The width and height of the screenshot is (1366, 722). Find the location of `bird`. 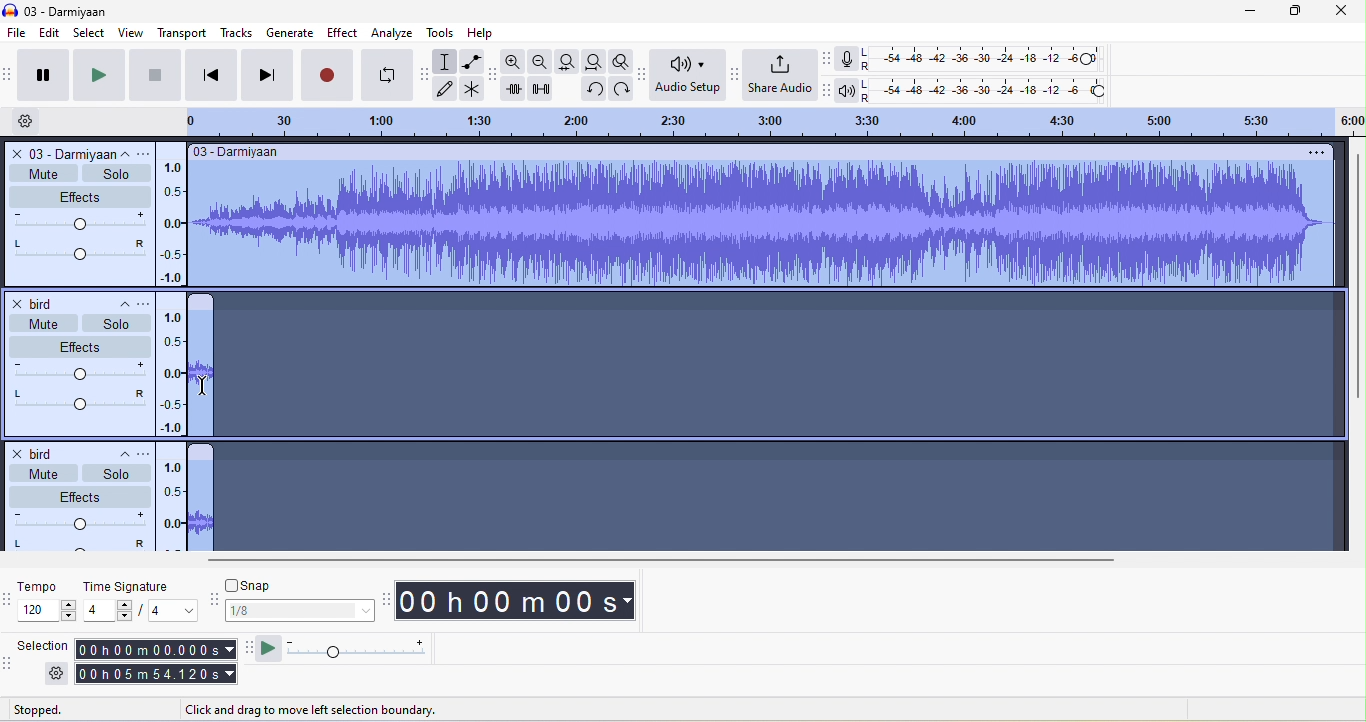

bird is located at coordinates (38, 303).